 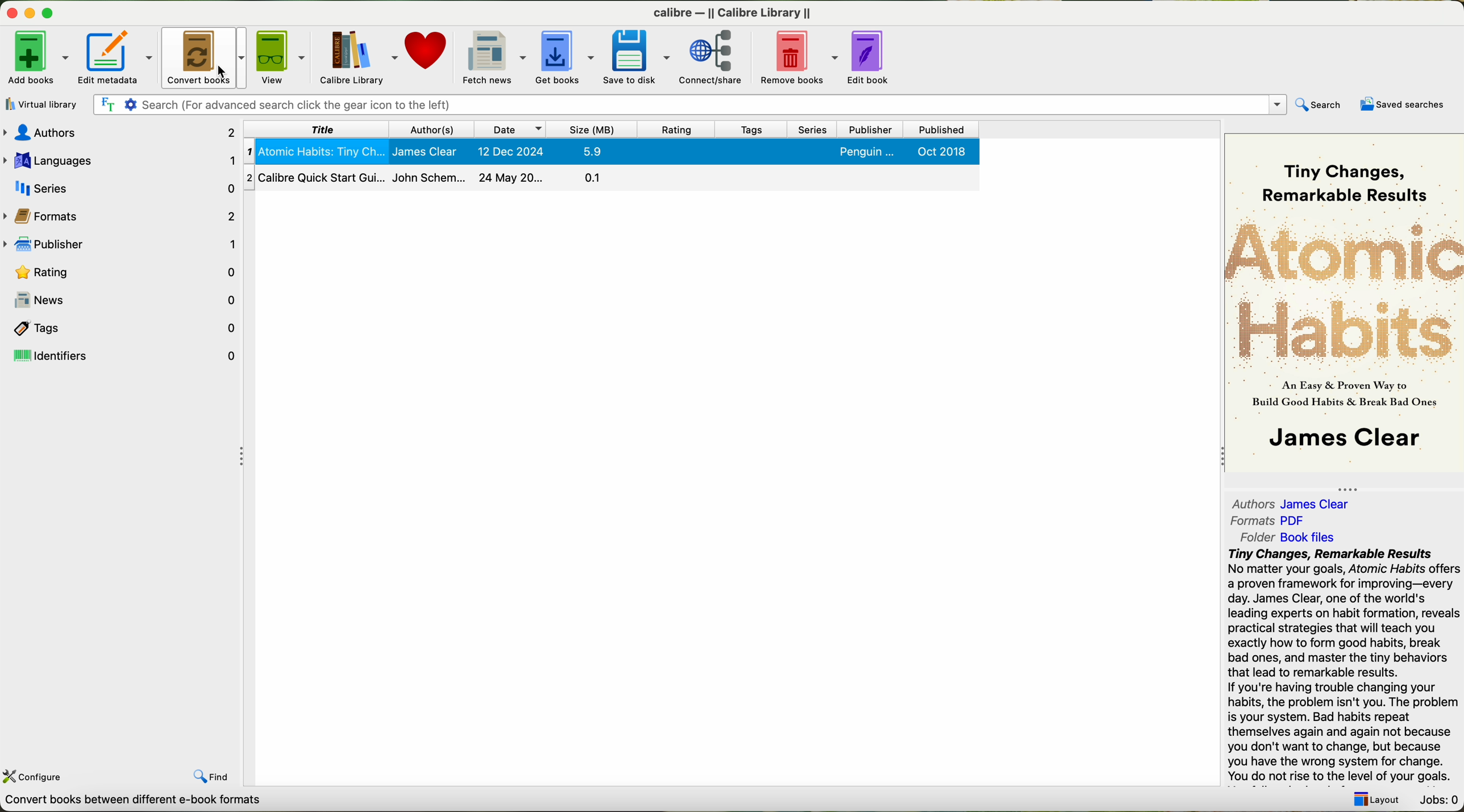 I want to click on view, so click(x=282, y=56).